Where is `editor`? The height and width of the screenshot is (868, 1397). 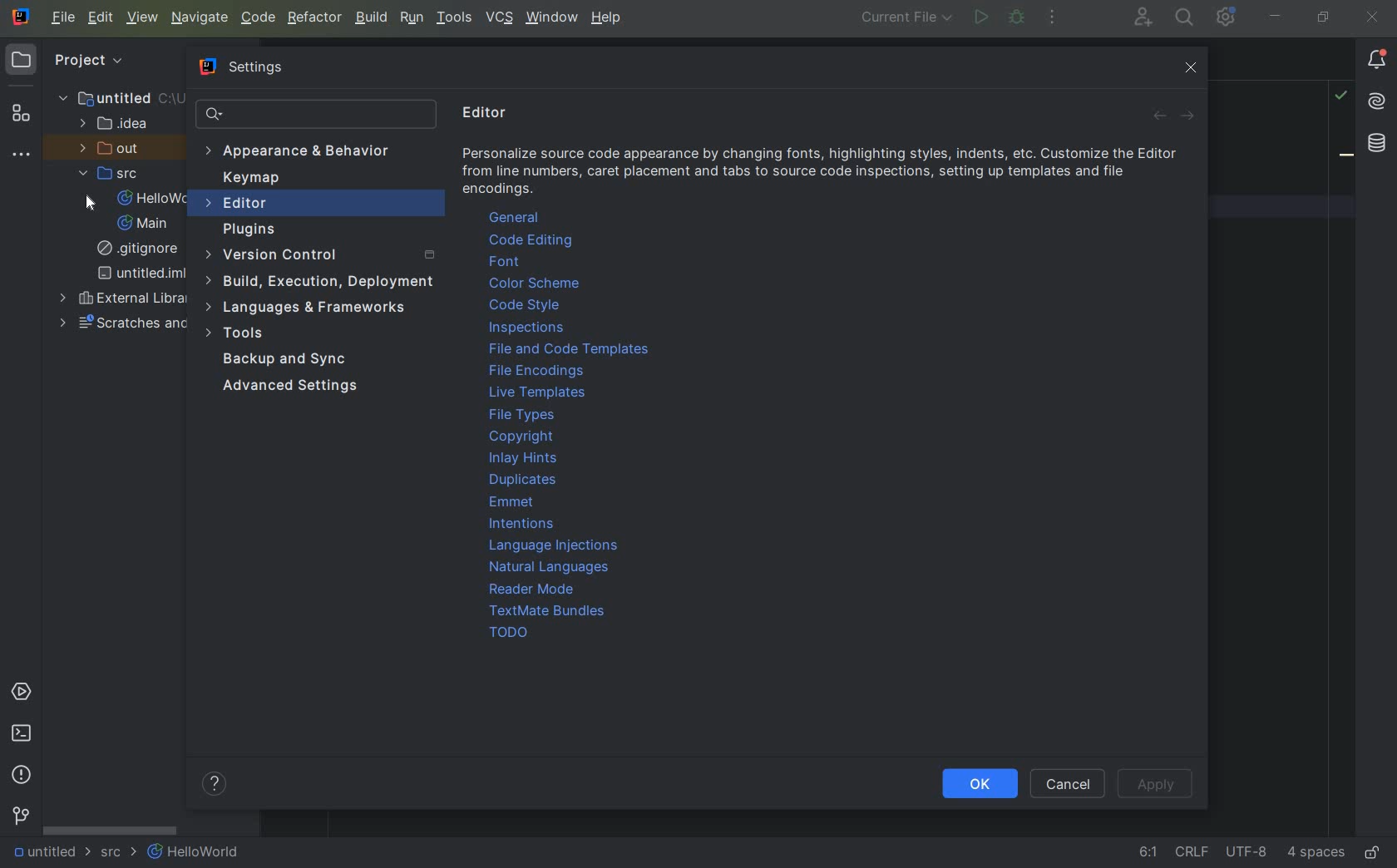 editor is located at coordinates (234, 204).